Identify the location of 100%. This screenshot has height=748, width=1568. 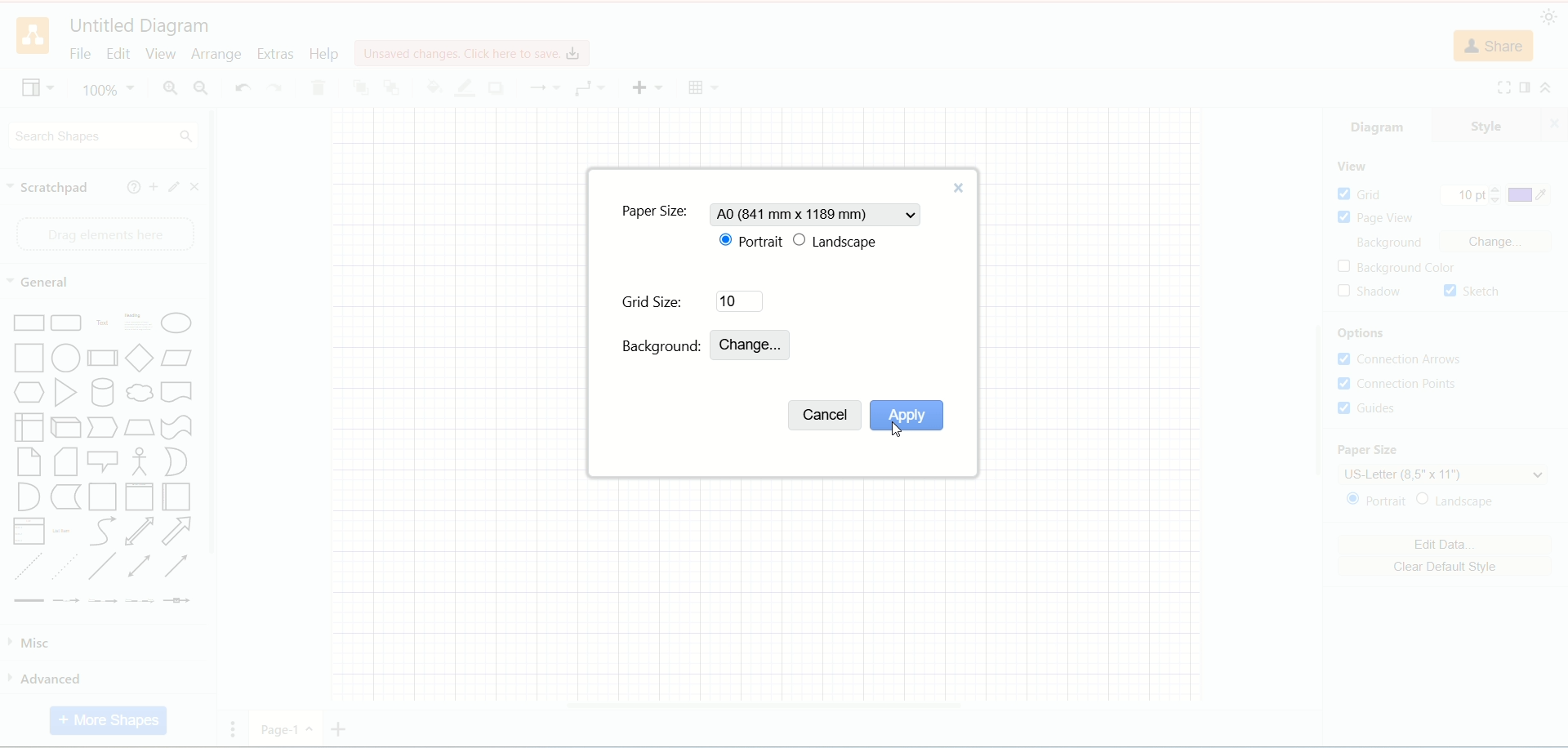
(107, 89).